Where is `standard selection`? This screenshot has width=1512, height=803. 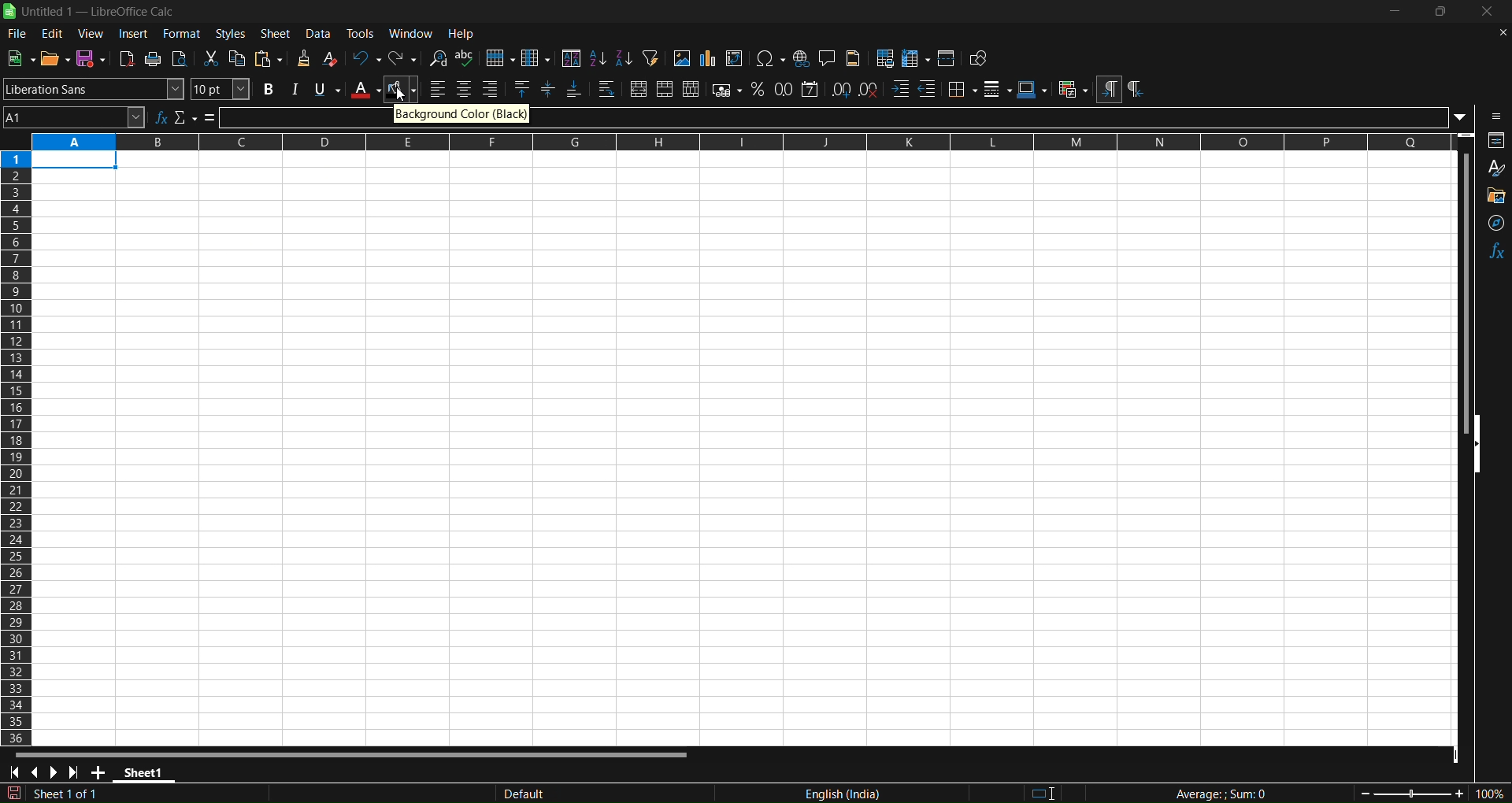 standard selection is located at coordinates (1051, 791).